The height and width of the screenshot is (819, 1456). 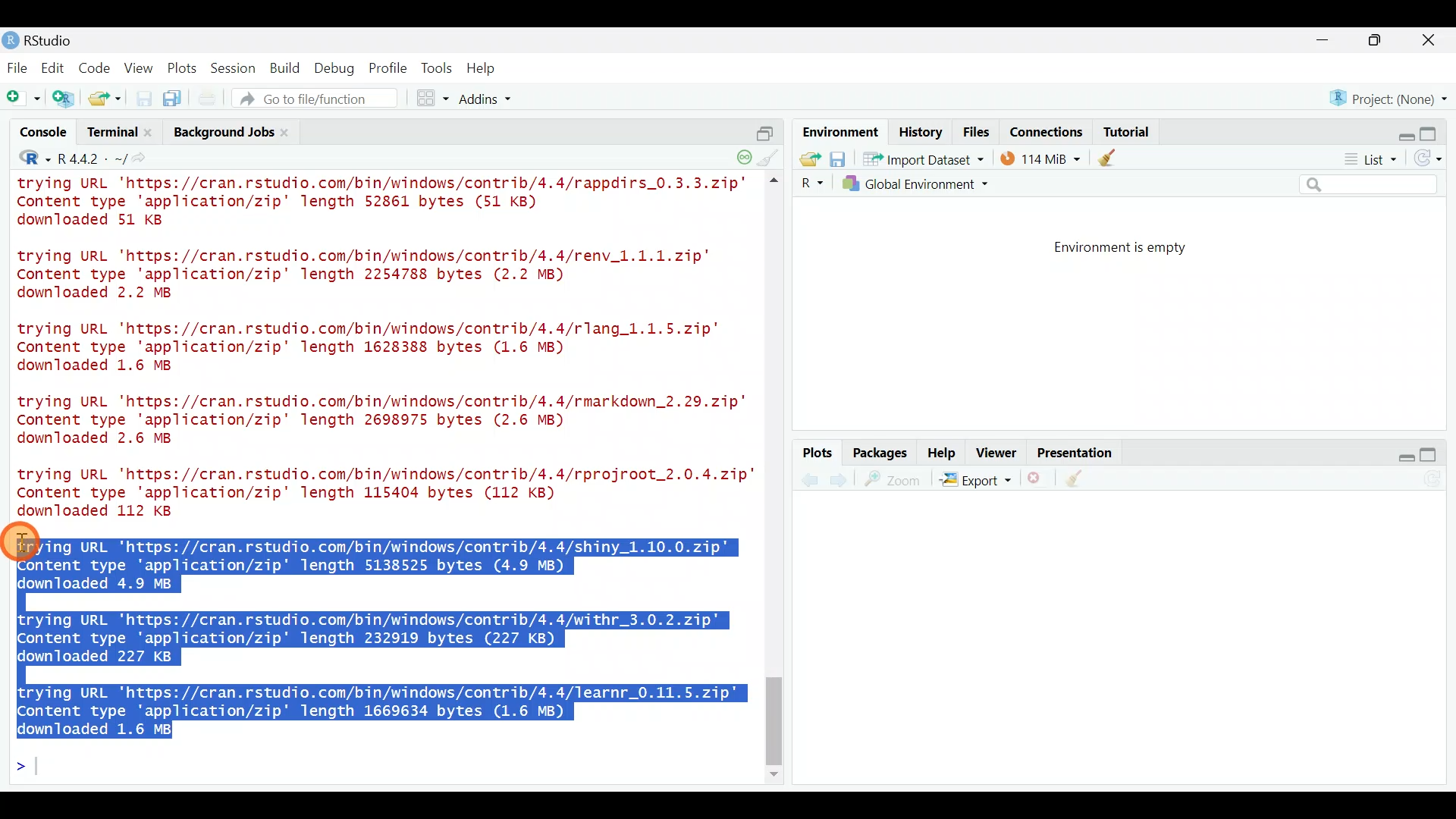 I want to click on Build, so click(x=286, y=67).